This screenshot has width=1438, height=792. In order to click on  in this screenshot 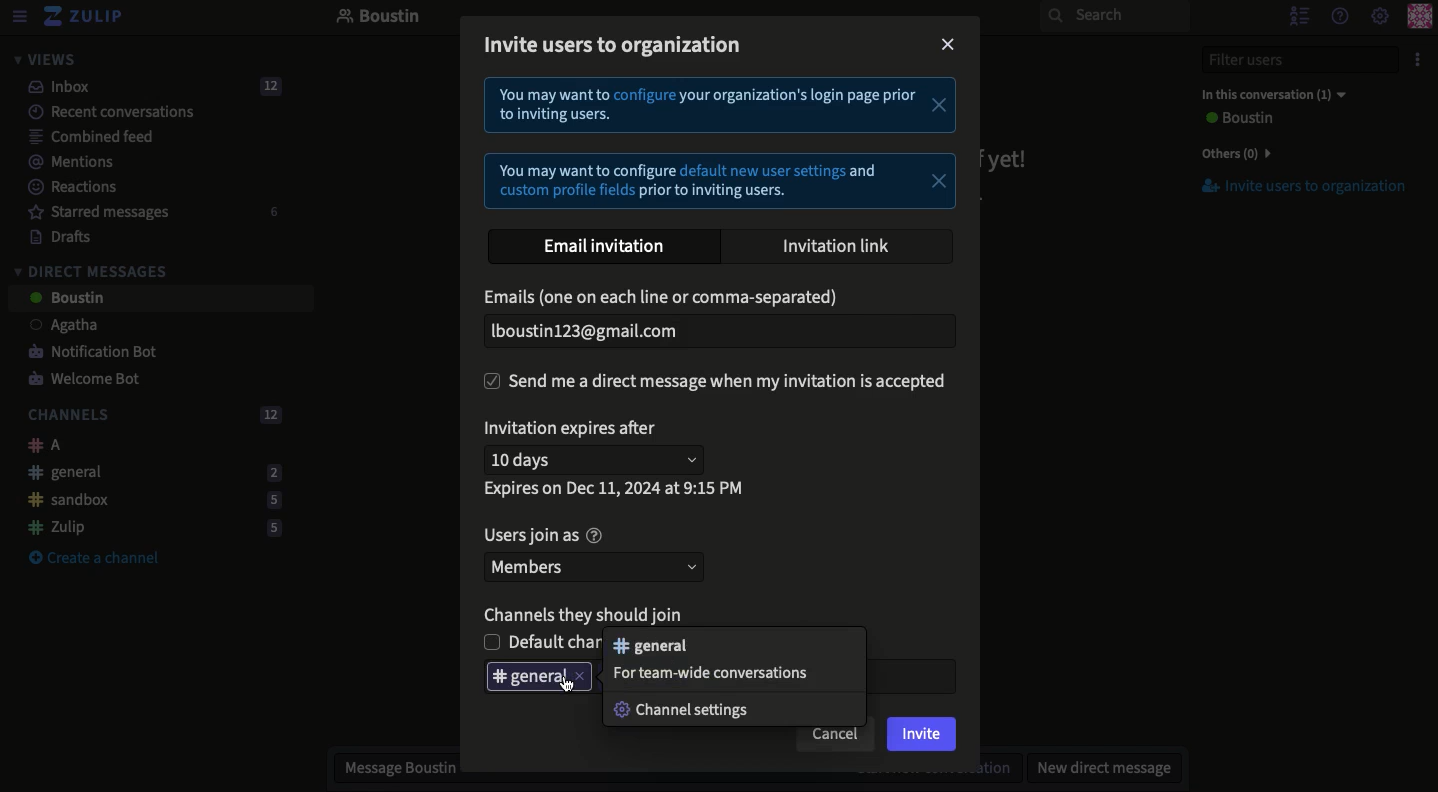, I will do `click(948, 45)`.